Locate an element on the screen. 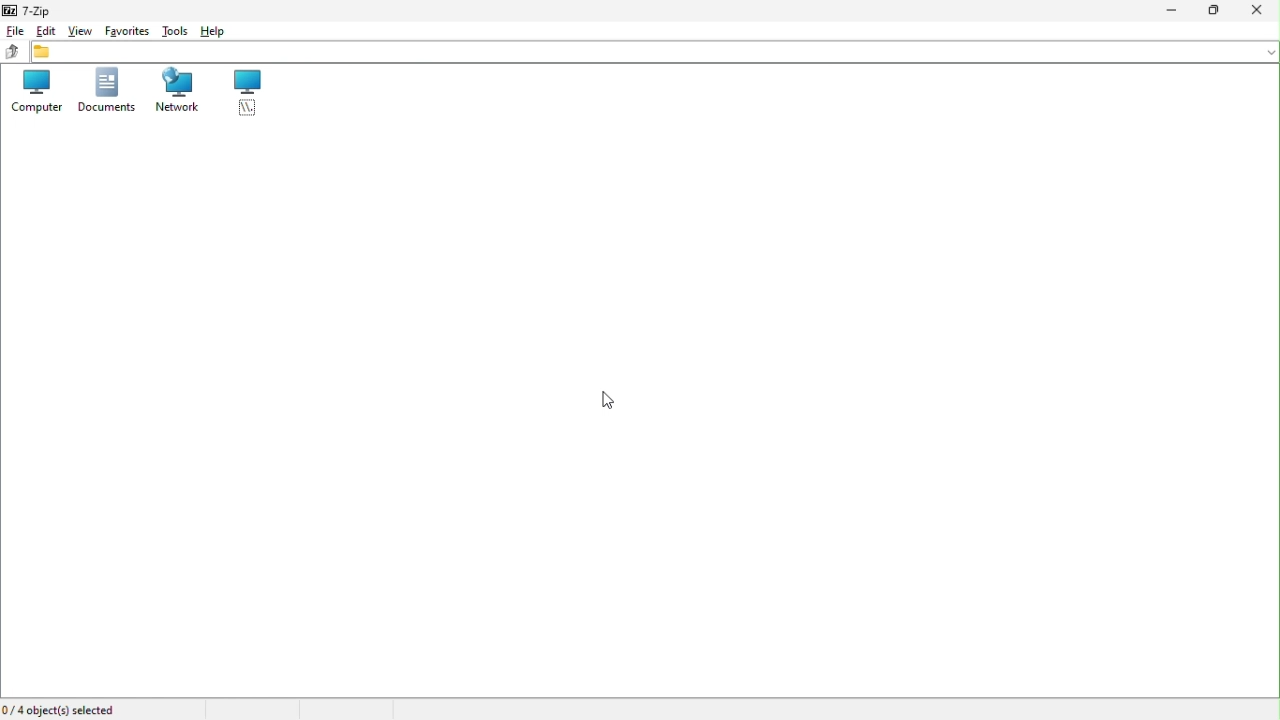 The image size is (1280, 720). Minimise is located at coordinates (1164, 12).